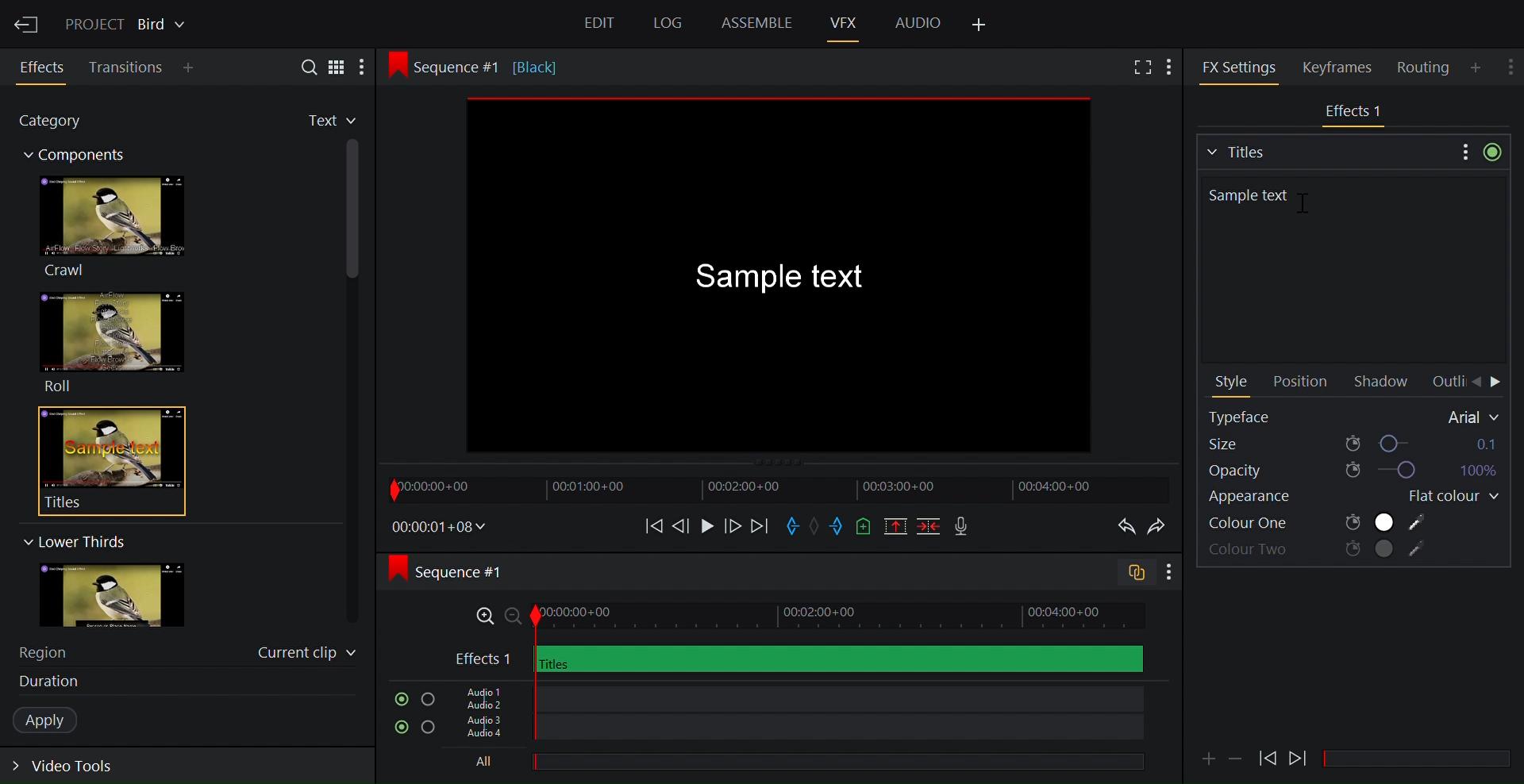 Image resolution: width=1524 pixels, height=784 pixels. Describe the element at coordinates (1318, 523) in the screenshot. I see `Colour One, Colour Two` at that location.